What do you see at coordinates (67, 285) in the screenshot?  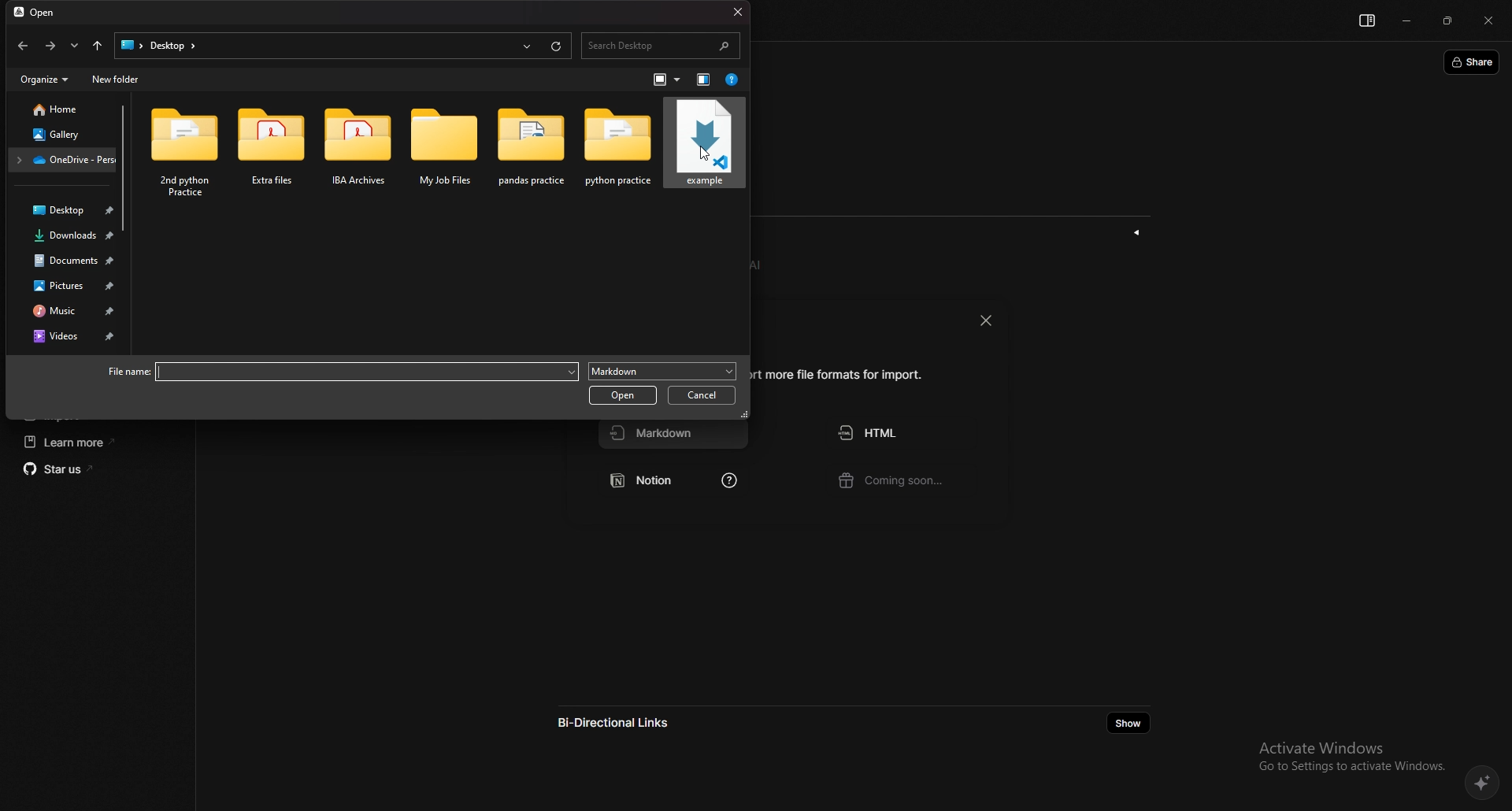 I see `pictures` at bounding box center [67, 285].